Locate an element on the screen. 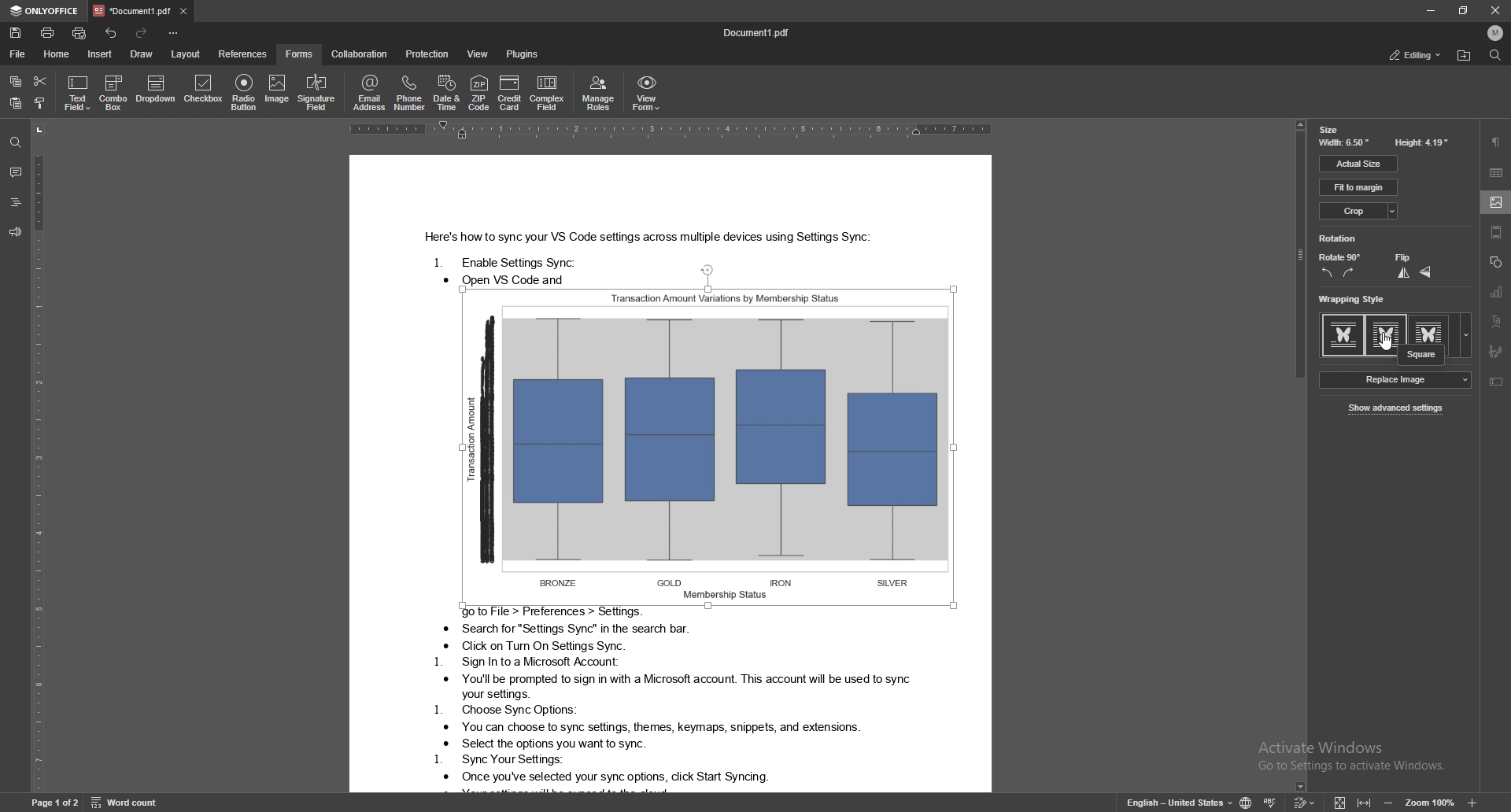 The image size is (1511, 812). style 1 is located at coordinates (1342, 335).